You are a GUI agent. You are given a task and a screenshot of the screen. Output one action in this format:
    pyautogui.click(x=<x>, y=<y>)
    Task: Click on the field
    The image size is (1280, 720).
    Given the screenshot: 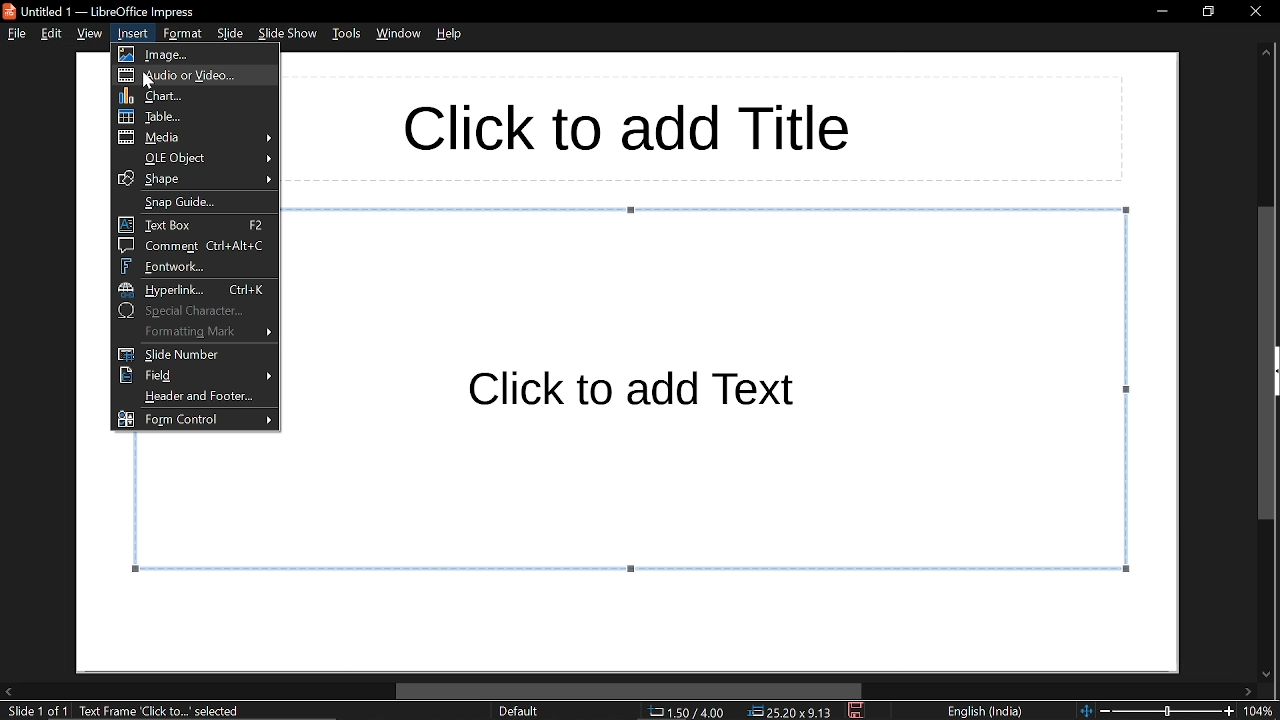 What is the action you would take?
    pyautogui.click(x=194, y=374)
    